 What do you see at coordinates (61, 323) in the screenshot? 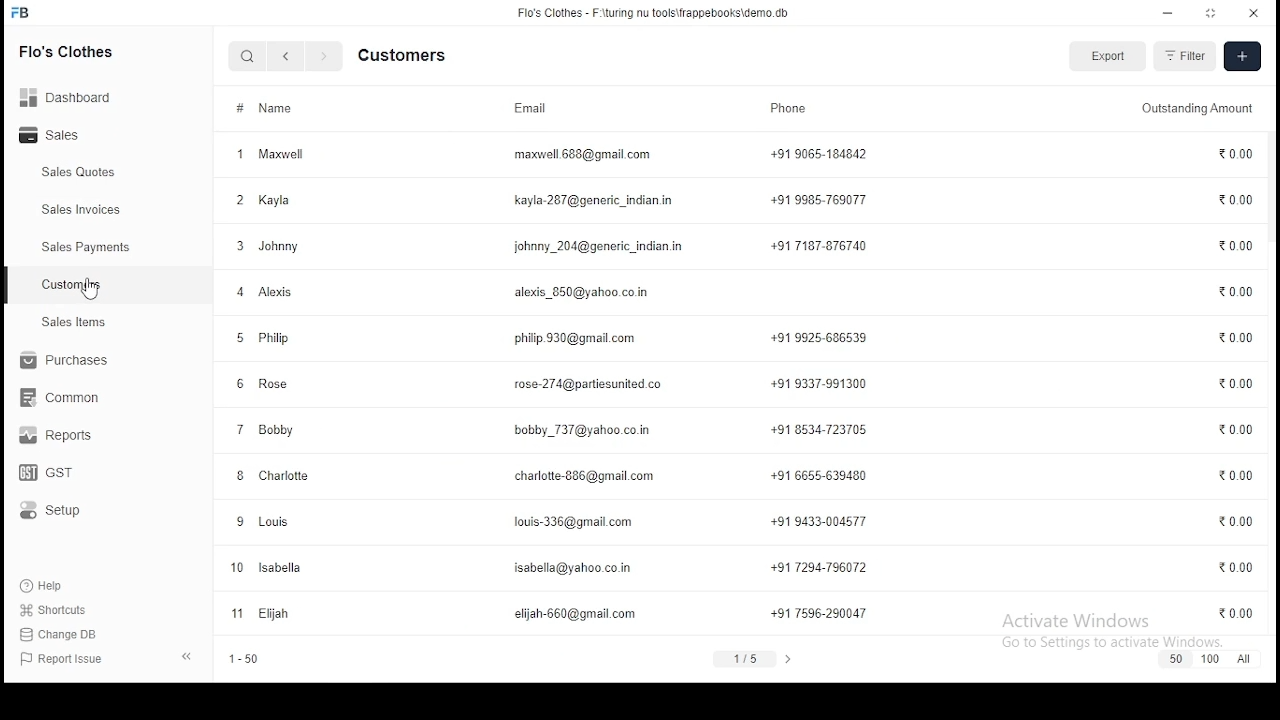
I see `setup` at bounding box center [61, 323].